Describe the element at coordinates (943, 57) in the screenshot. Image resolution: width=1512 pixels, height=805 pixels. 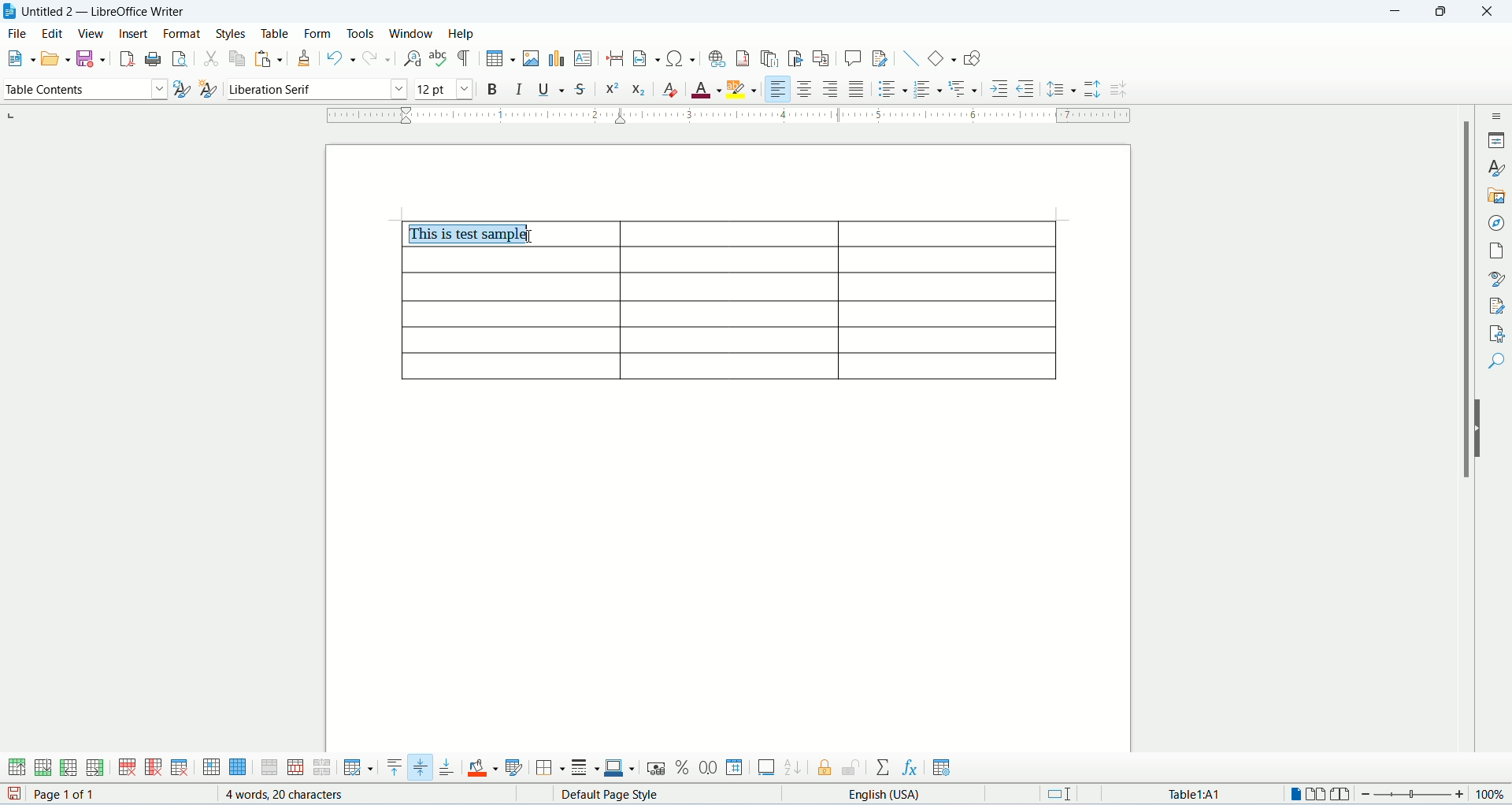
I see `basic shapes` at that location.